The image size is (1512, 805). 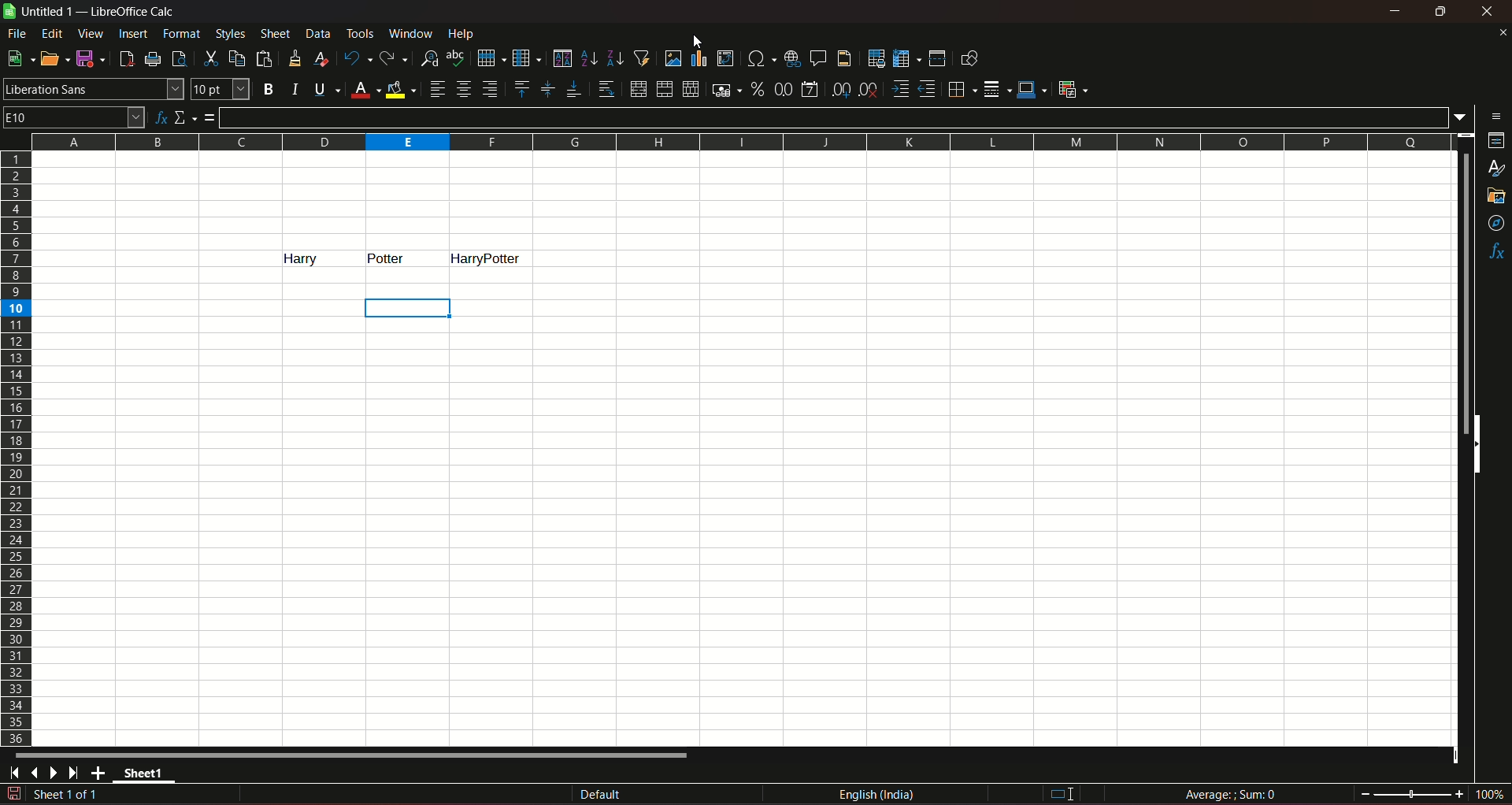 What do you see at coordinates (960, 89) in the screenshot?
I see `borders` at bounding box center [960, 89].